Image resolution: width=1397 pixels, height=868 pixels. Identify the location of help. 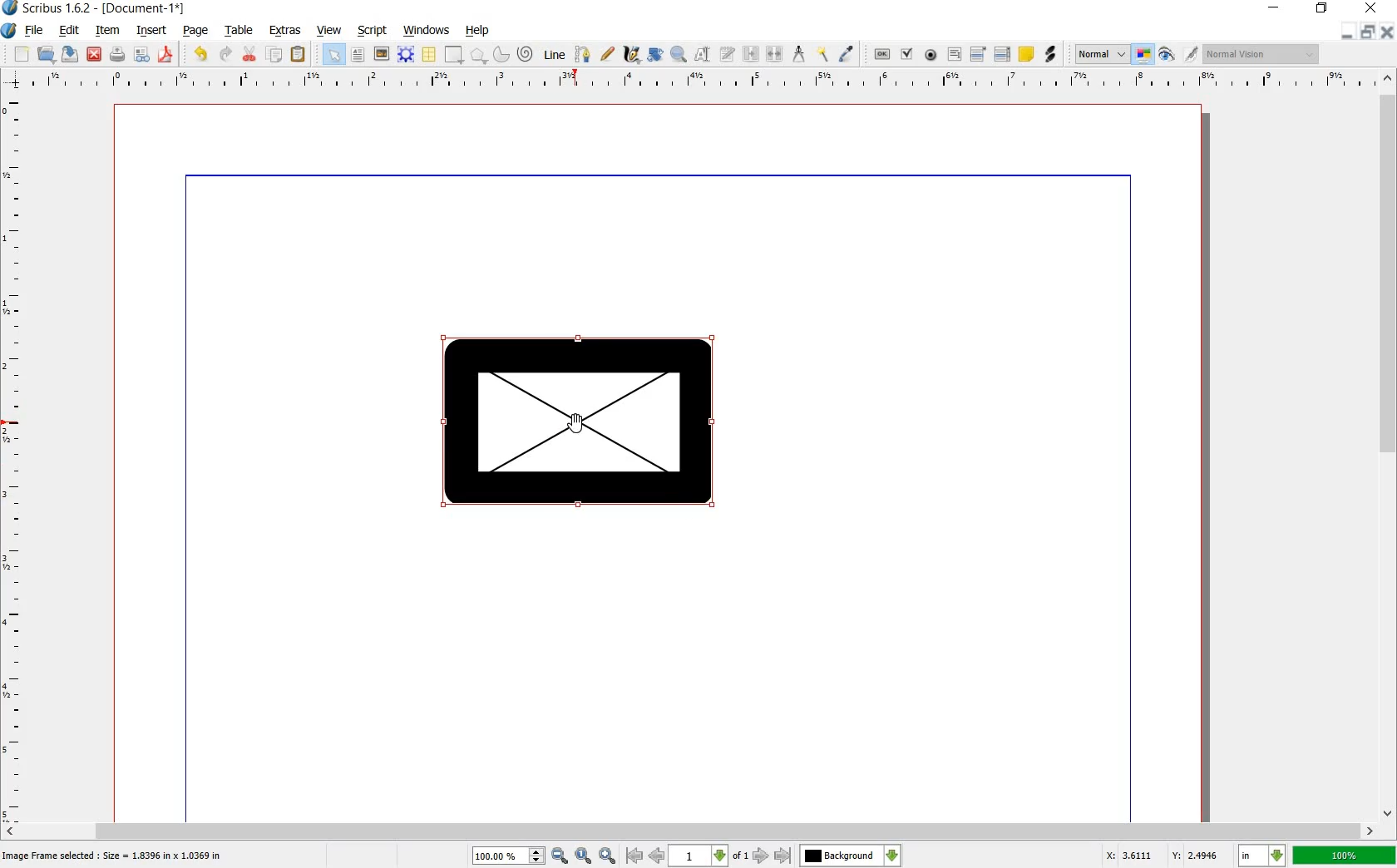
(478, 32).